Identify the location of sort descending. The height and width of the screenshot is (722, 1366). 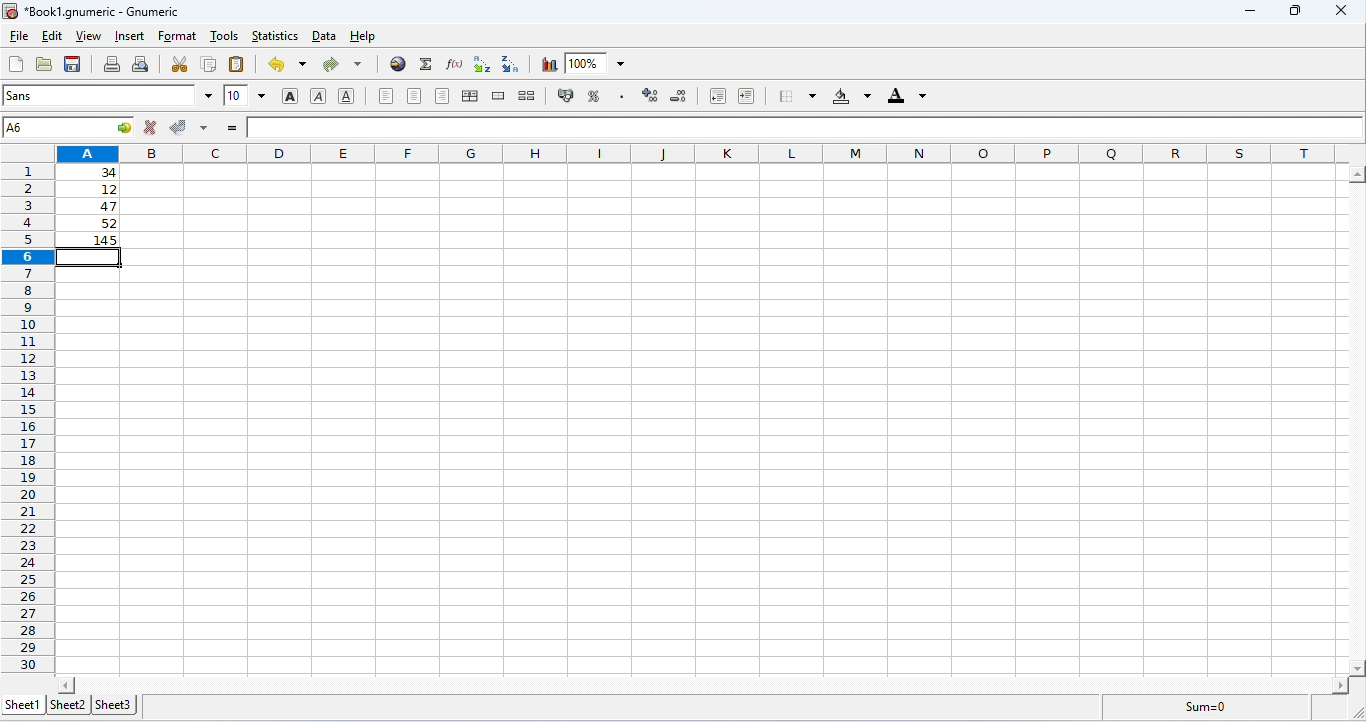
(513, 64).